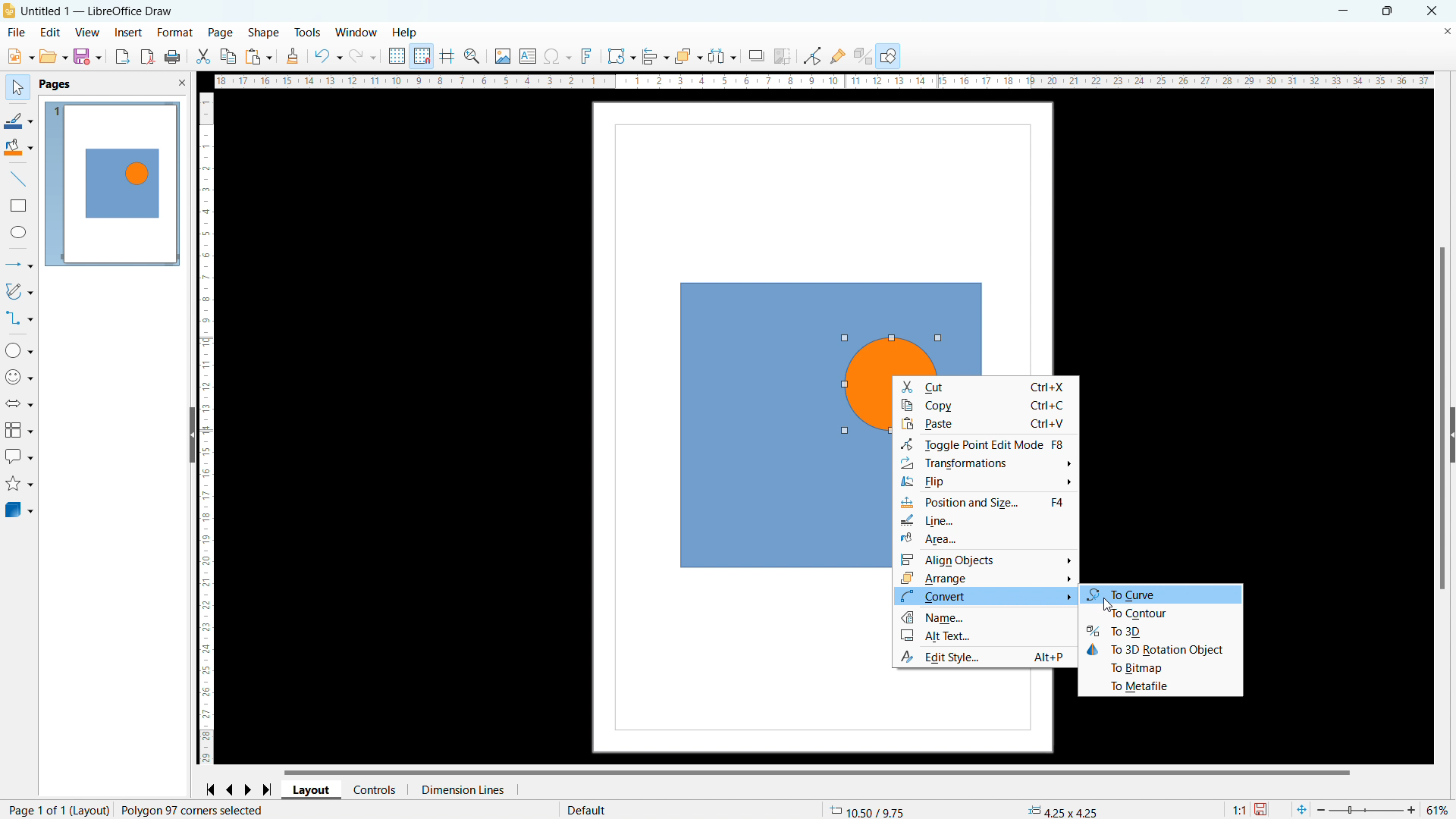  Describe the element at coordinates (112, 184) in the screenshot. I see `page 1` at that location.